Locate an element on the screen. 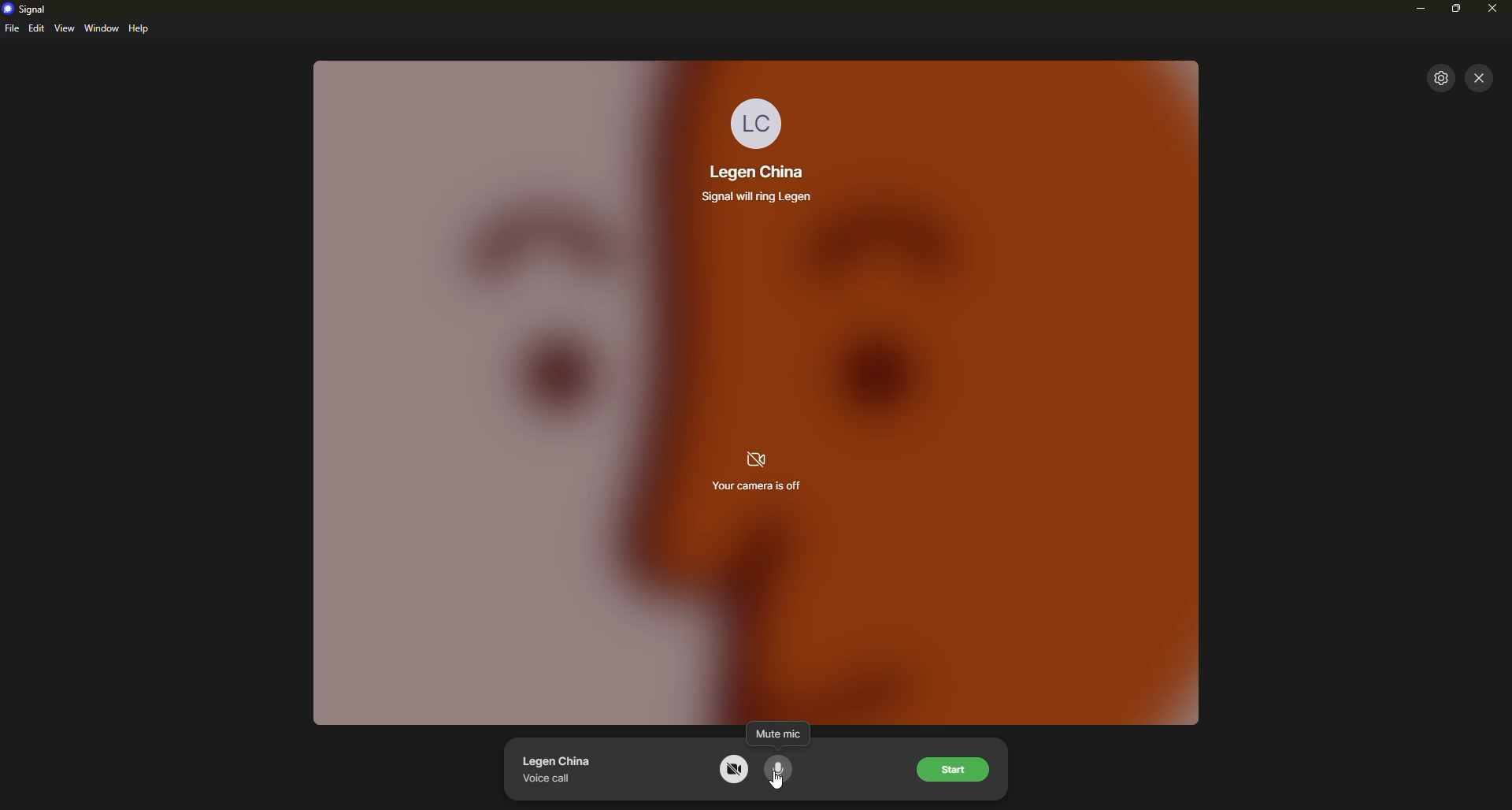 Image resolution: width=1512 pixels, height=810 pixels. view is located at coordinates (65, 28).